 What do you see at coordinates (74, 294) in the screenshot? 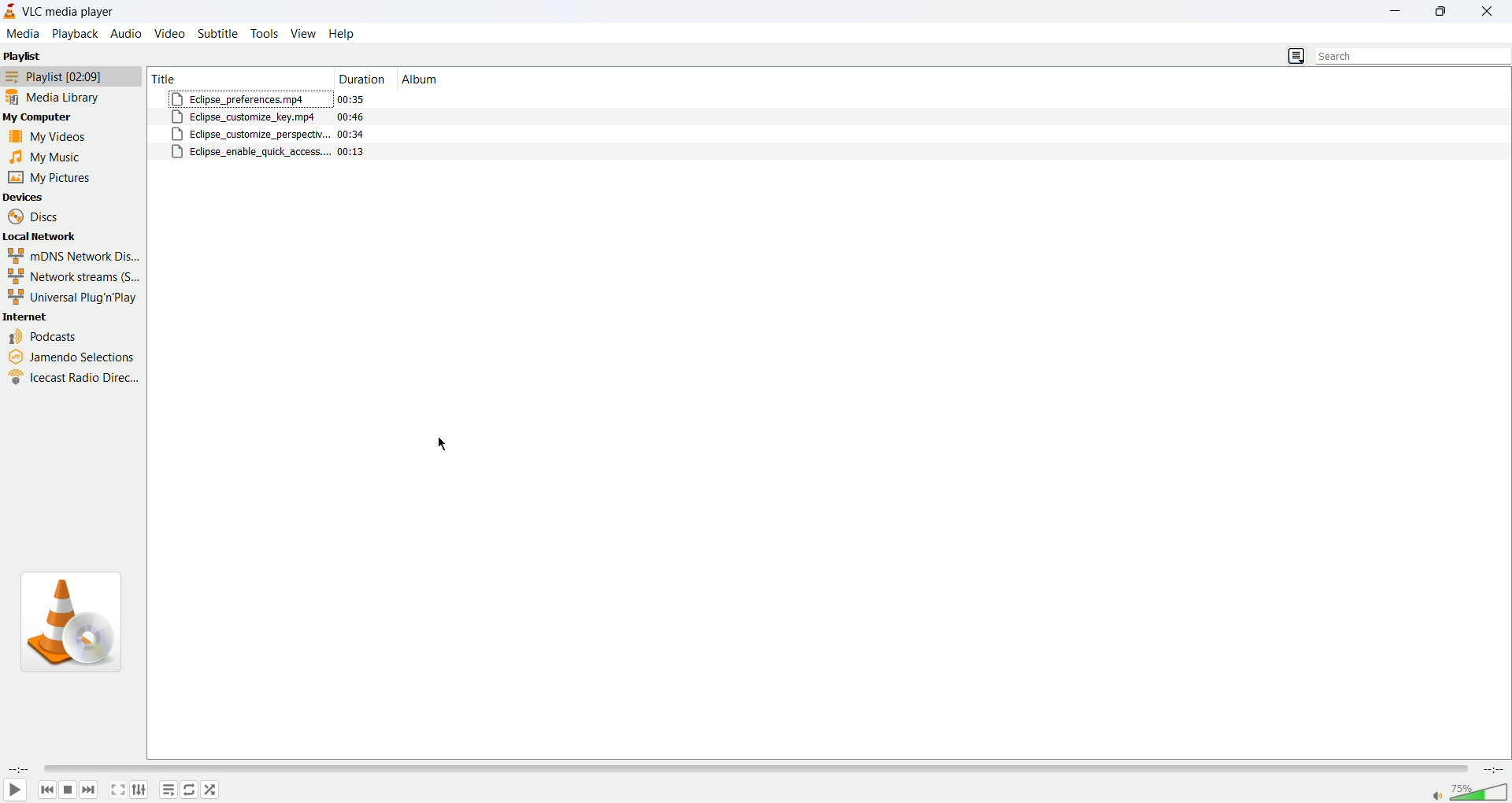
I see `universal Plug n Play` at bounding box center [74, 294].